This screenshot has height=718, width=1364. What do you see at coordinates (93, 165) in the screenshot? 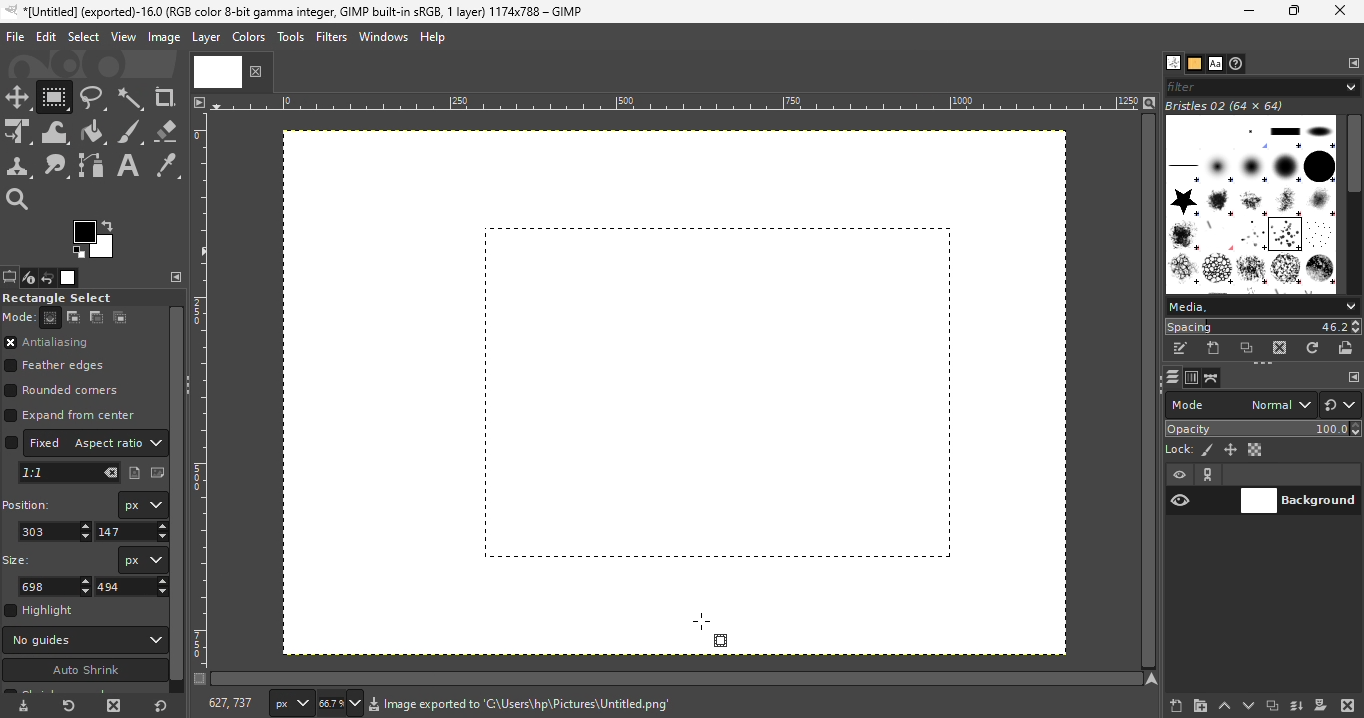
I see `Paths tool` at bounding box center [93, 165].